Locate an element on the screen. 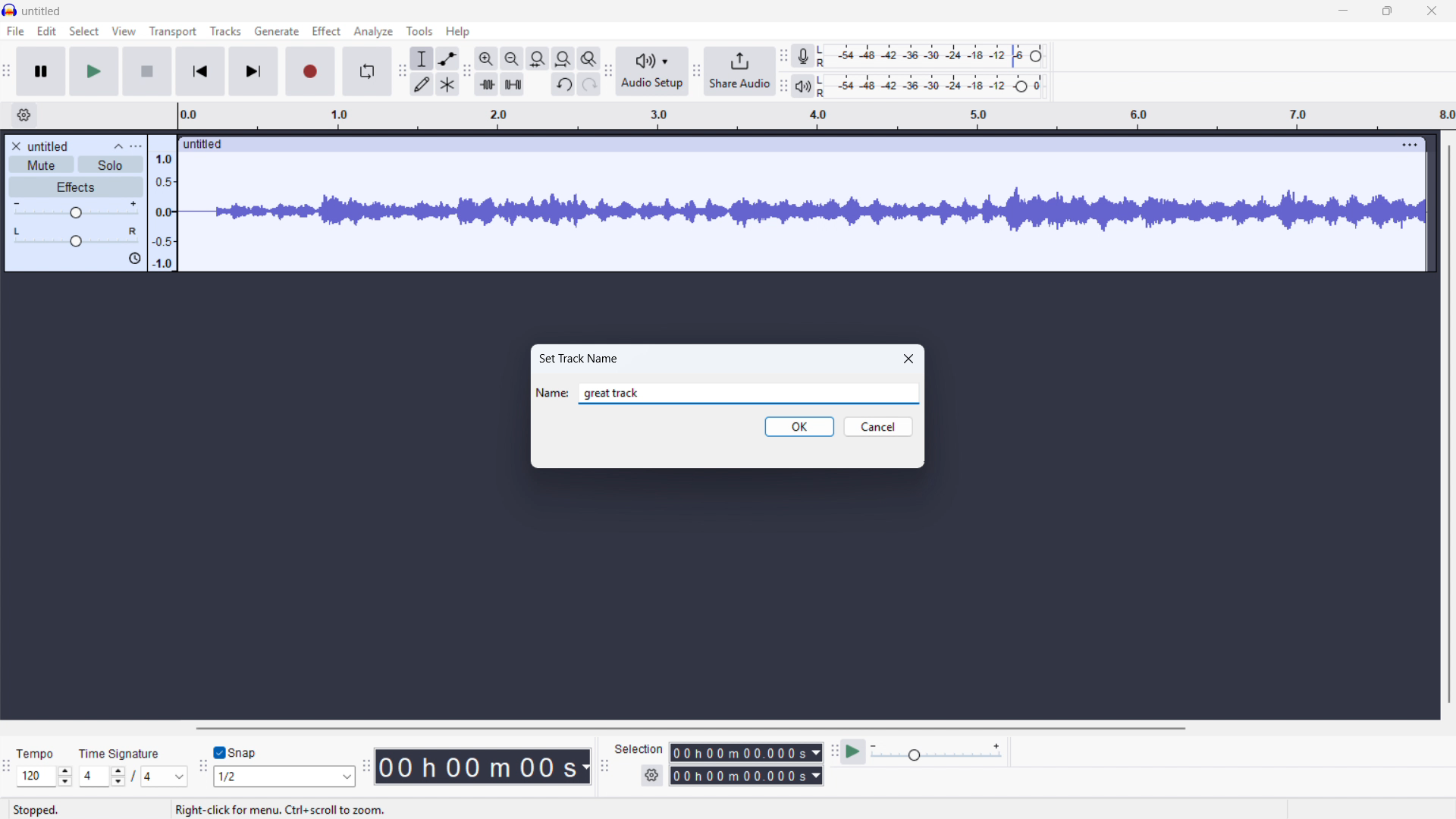  Selection tool  is located at coordinates (422, 58).